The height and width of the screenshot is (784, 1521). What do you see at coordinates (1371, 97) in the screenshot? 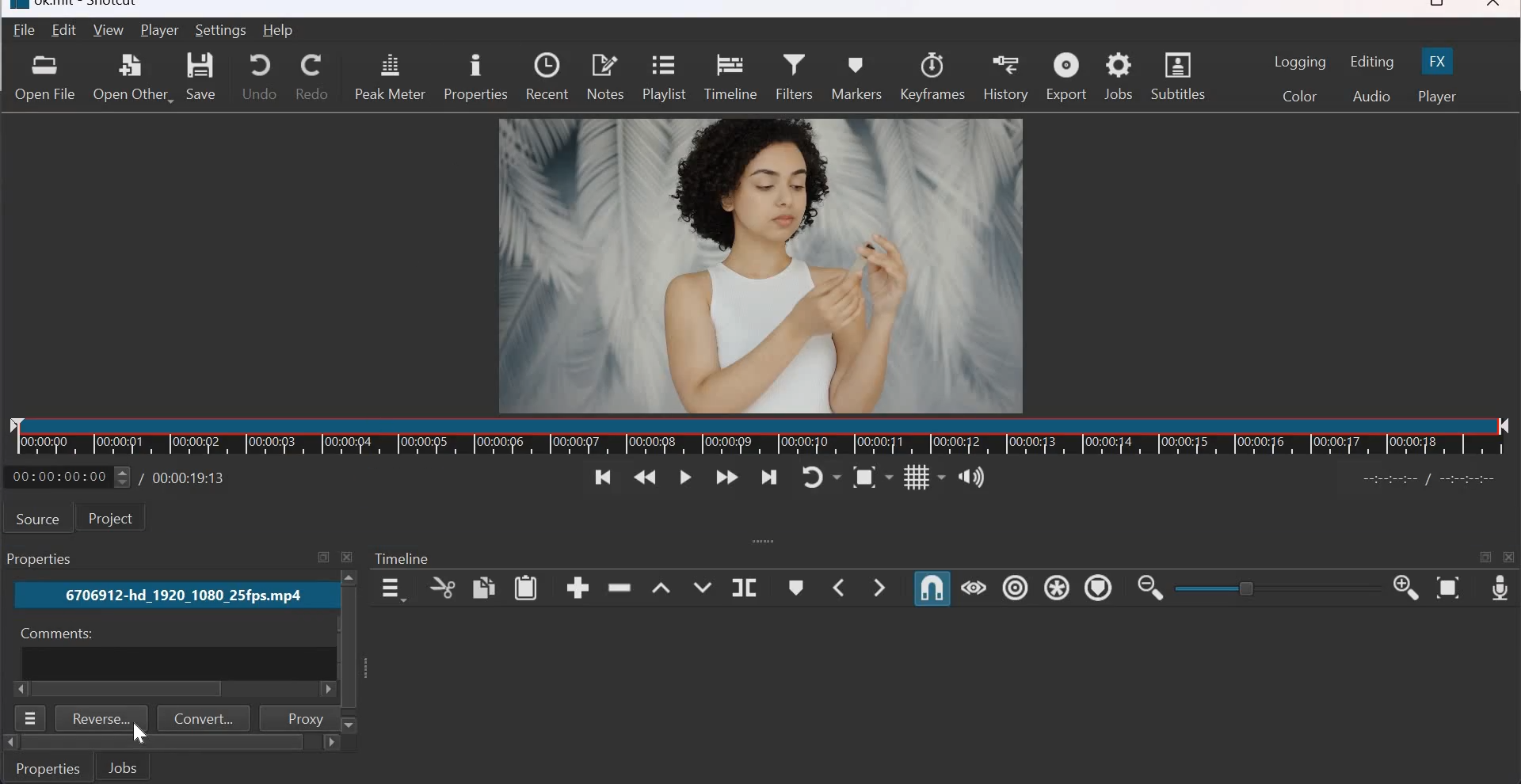
I see `Audio` at bounding box center [1371, 97].